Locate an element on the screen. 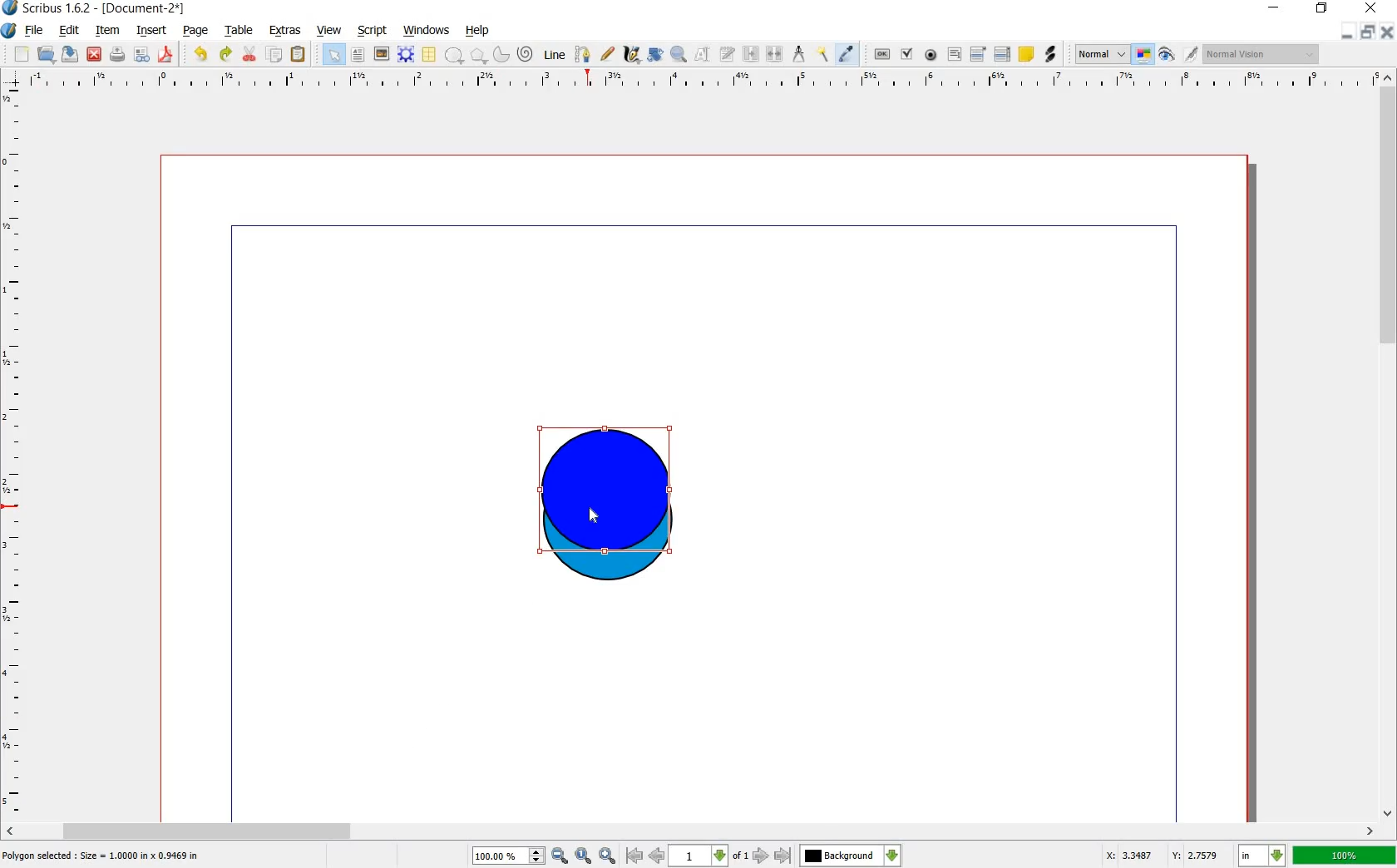 This screenshot has width=1397, height=868. save is located at coordinates (70, 54).